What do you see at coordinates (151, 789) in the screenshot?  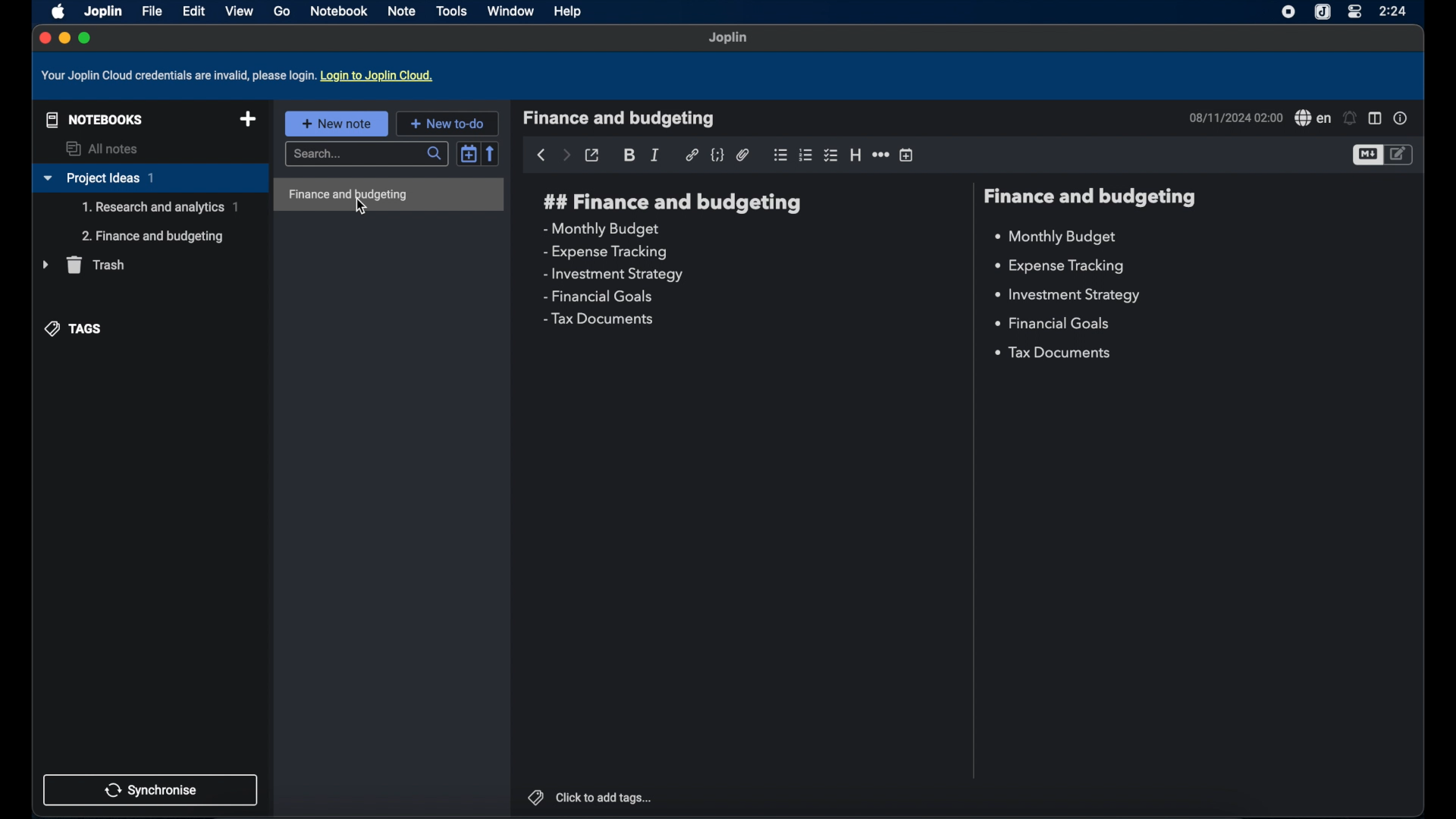 I see `synchronise` at bounding box center [151, 789].